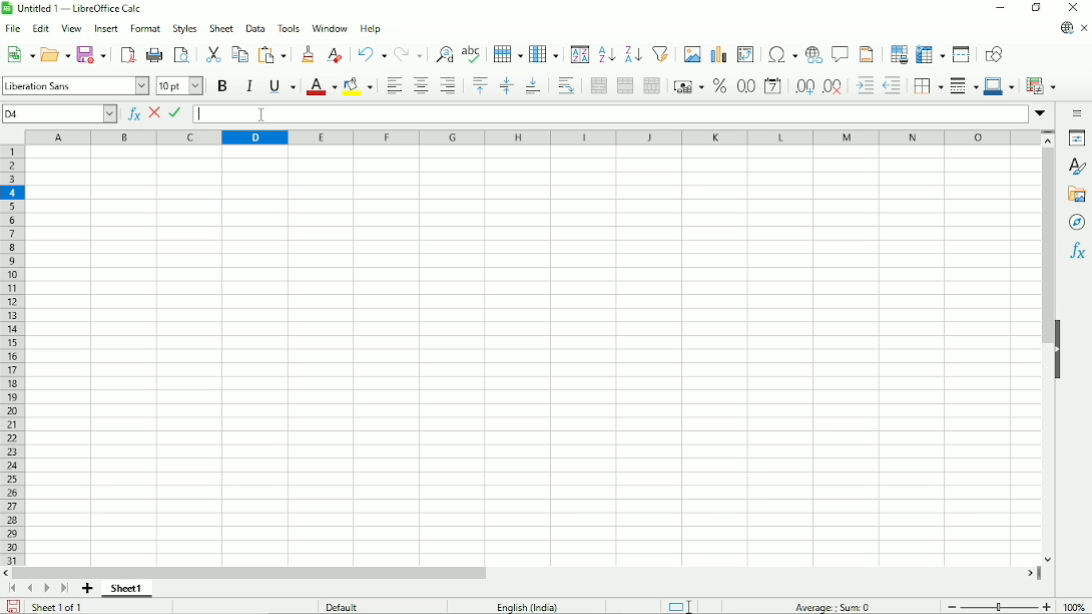 This screenshot has height=614, width=1092. I want to click on Merge cells, so click(625, 86).